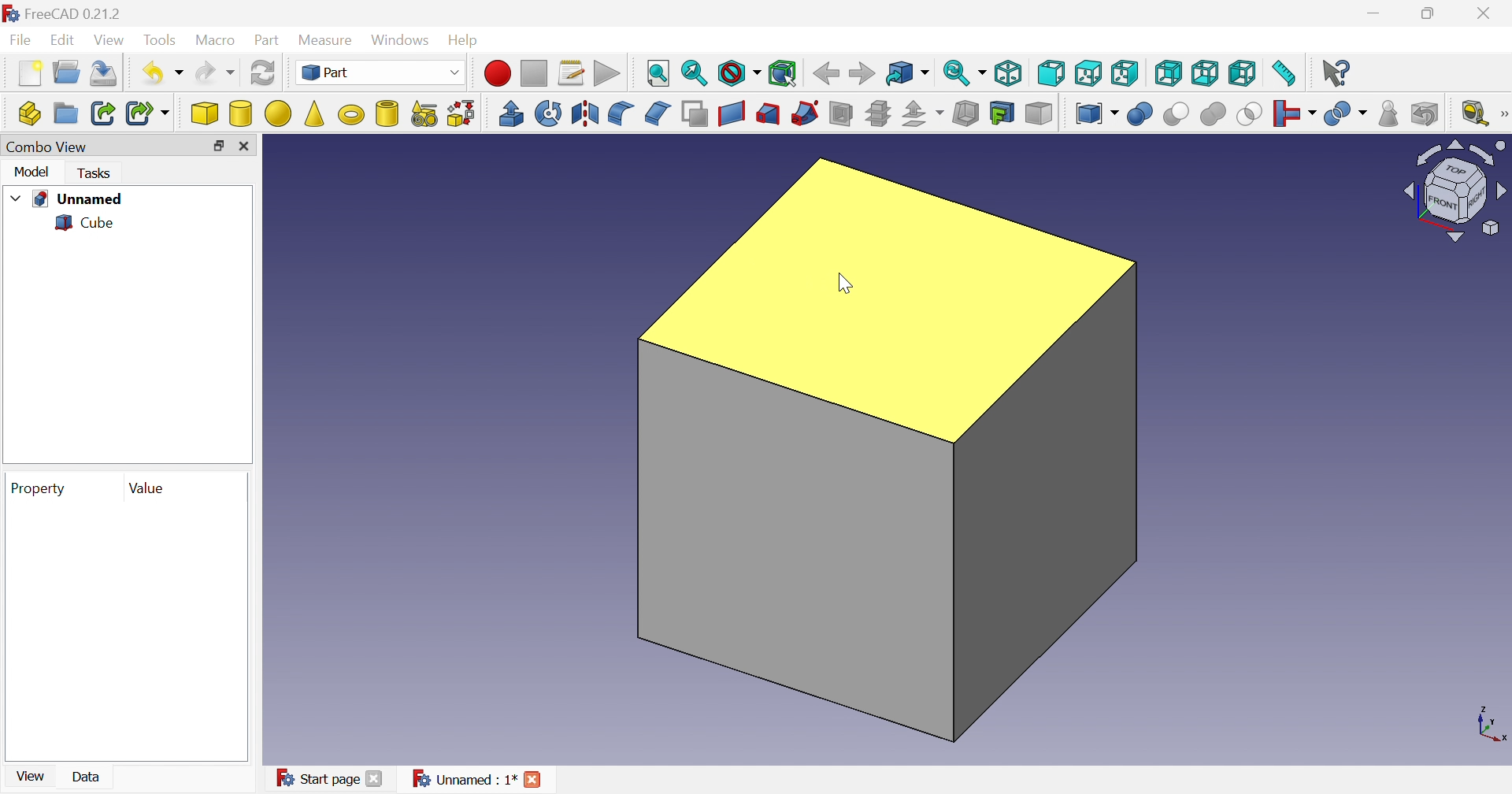 The width and height of the screenshot is (1512, 794). What do you see at coordinates (1099, 114) in the screenshot?
I see `Compound tools` at bounding box center [1099, 114].